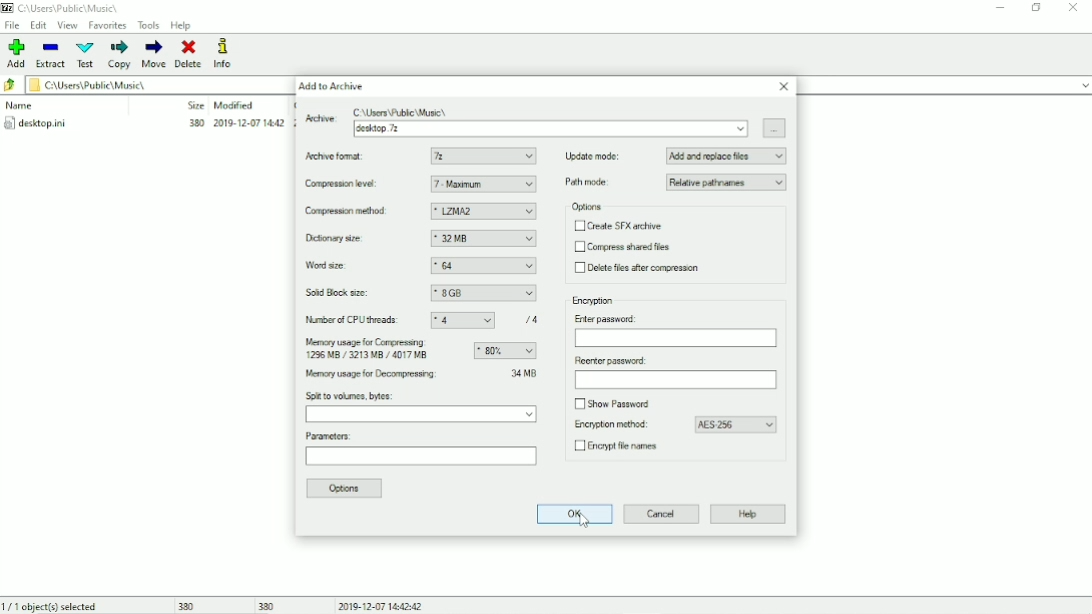 This screenshot has width=1092, height=614. What do you see at coordinates (143, 84) in the screenshot?
I see `File location` at bounding box center [143, 84].